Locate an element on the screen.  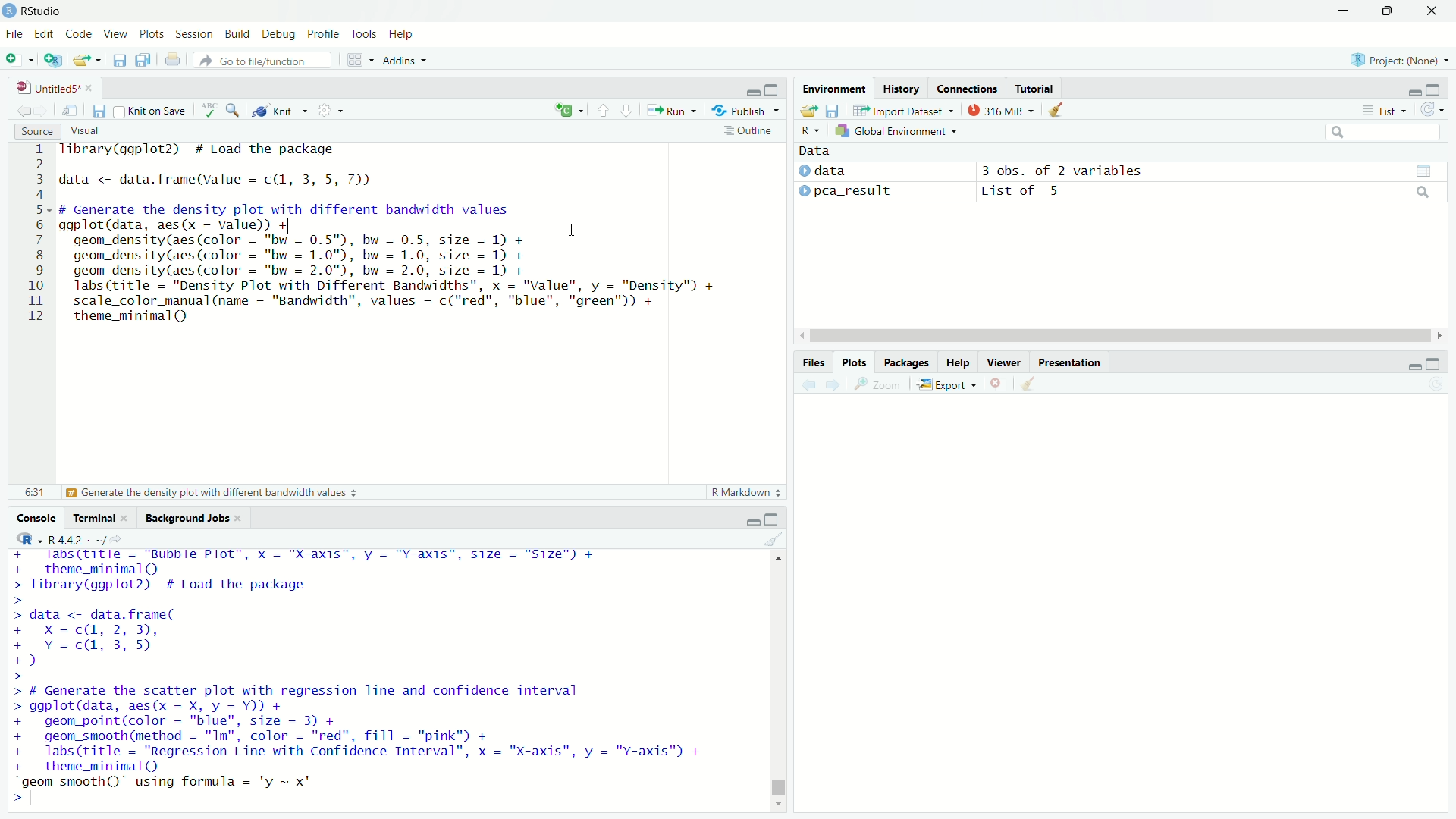
Help is located at coordinates (957, 362).